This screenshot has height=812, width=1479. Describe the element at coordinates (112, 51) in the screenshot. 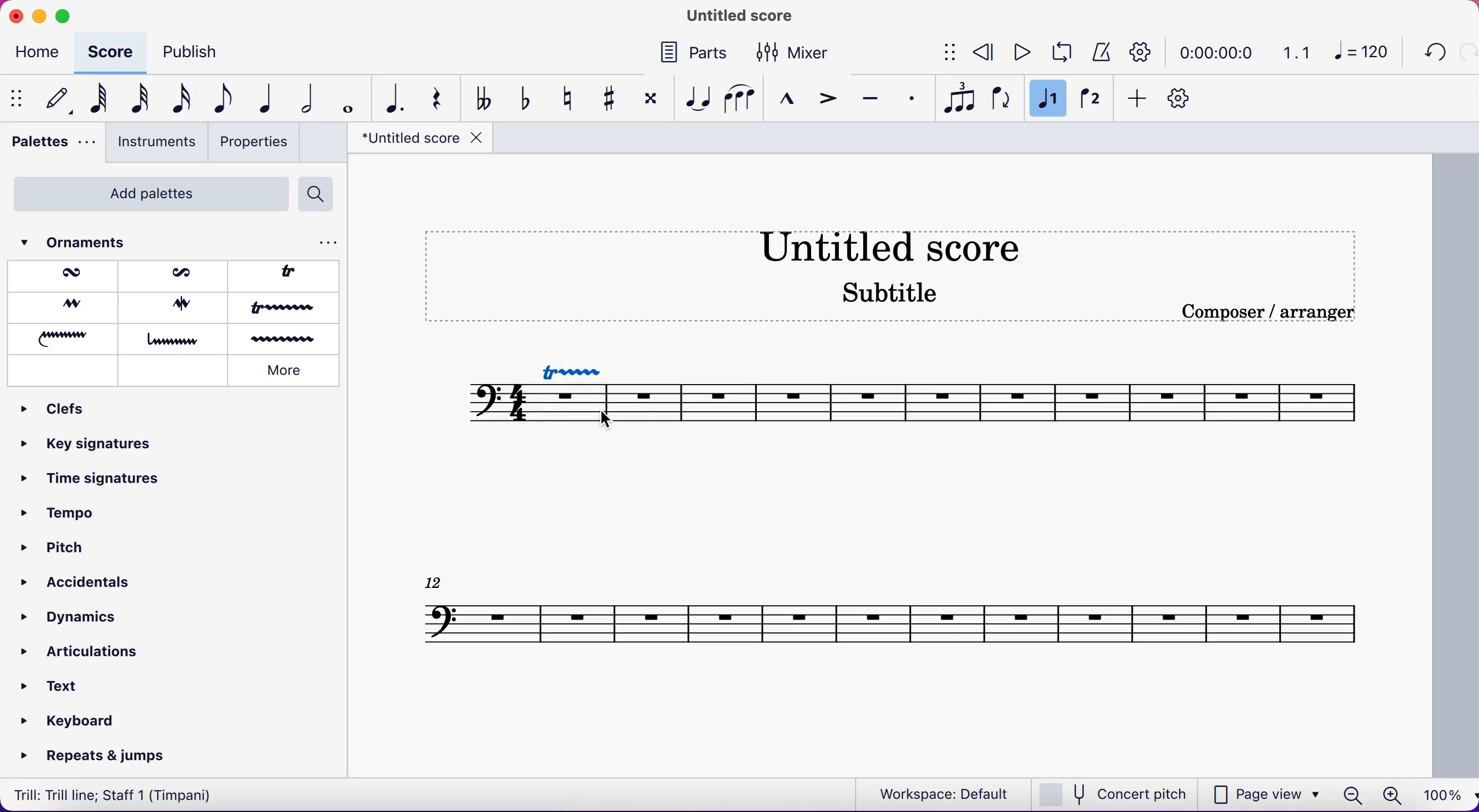

I see `score` at that location.